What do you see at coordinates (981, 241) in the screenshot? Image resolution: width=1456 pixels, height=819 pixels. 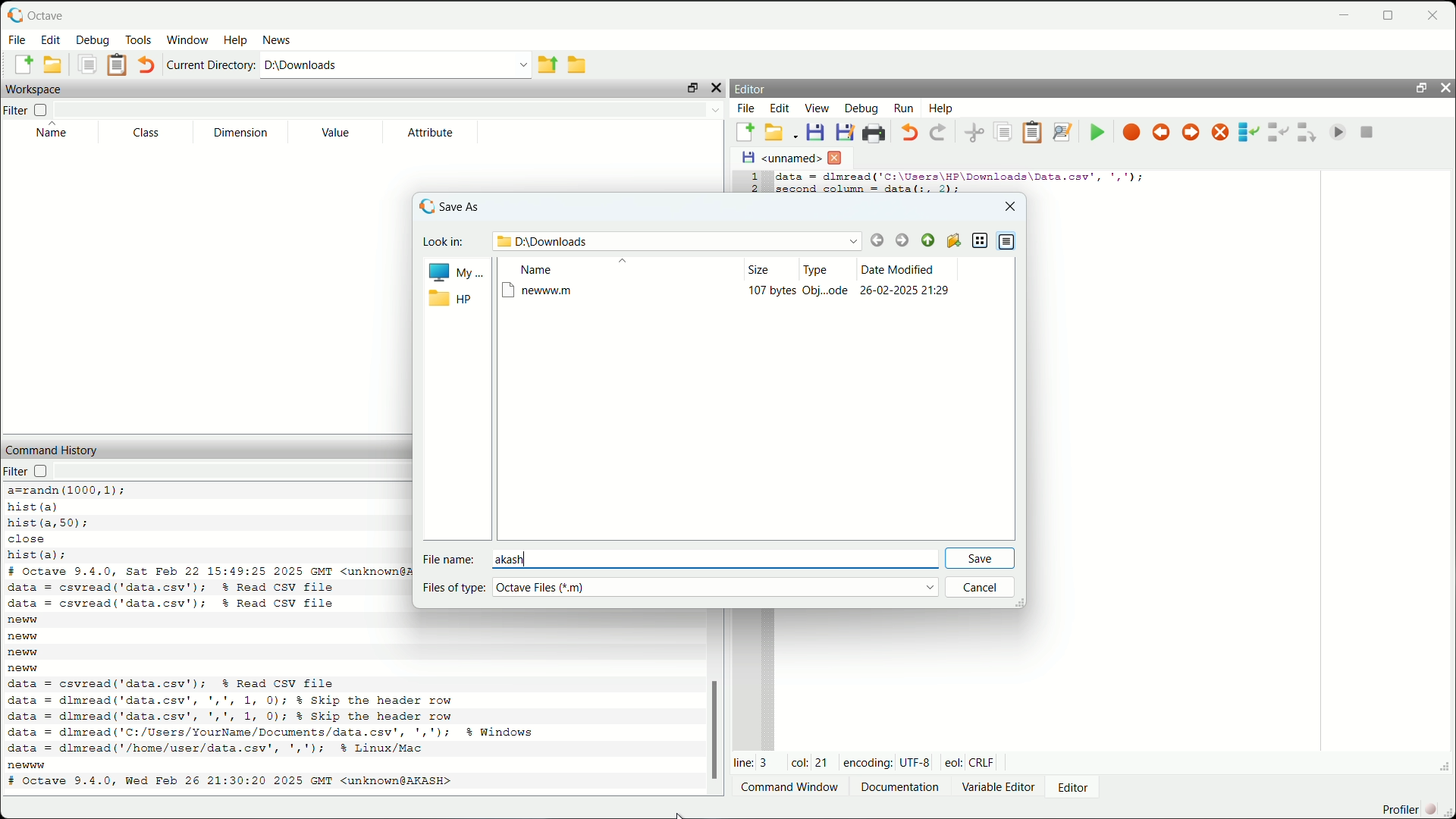 I see `list view` at bounding box center [981, 241].